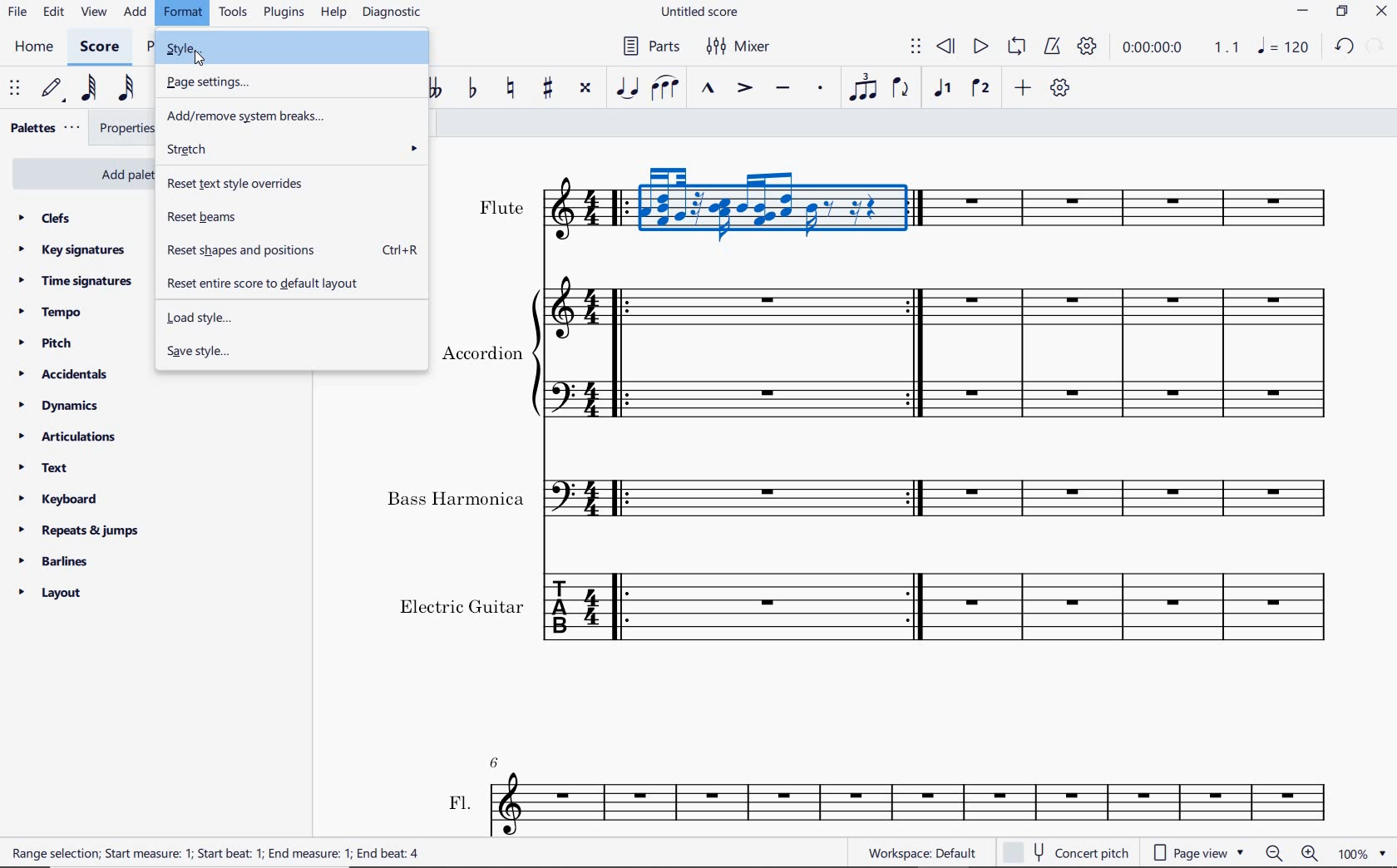 Image resolution: width=1397 pixels, height=868 pixels. Describe the element at coordinates (72, 250) in the screenshot. I see `key signatures` at that location.